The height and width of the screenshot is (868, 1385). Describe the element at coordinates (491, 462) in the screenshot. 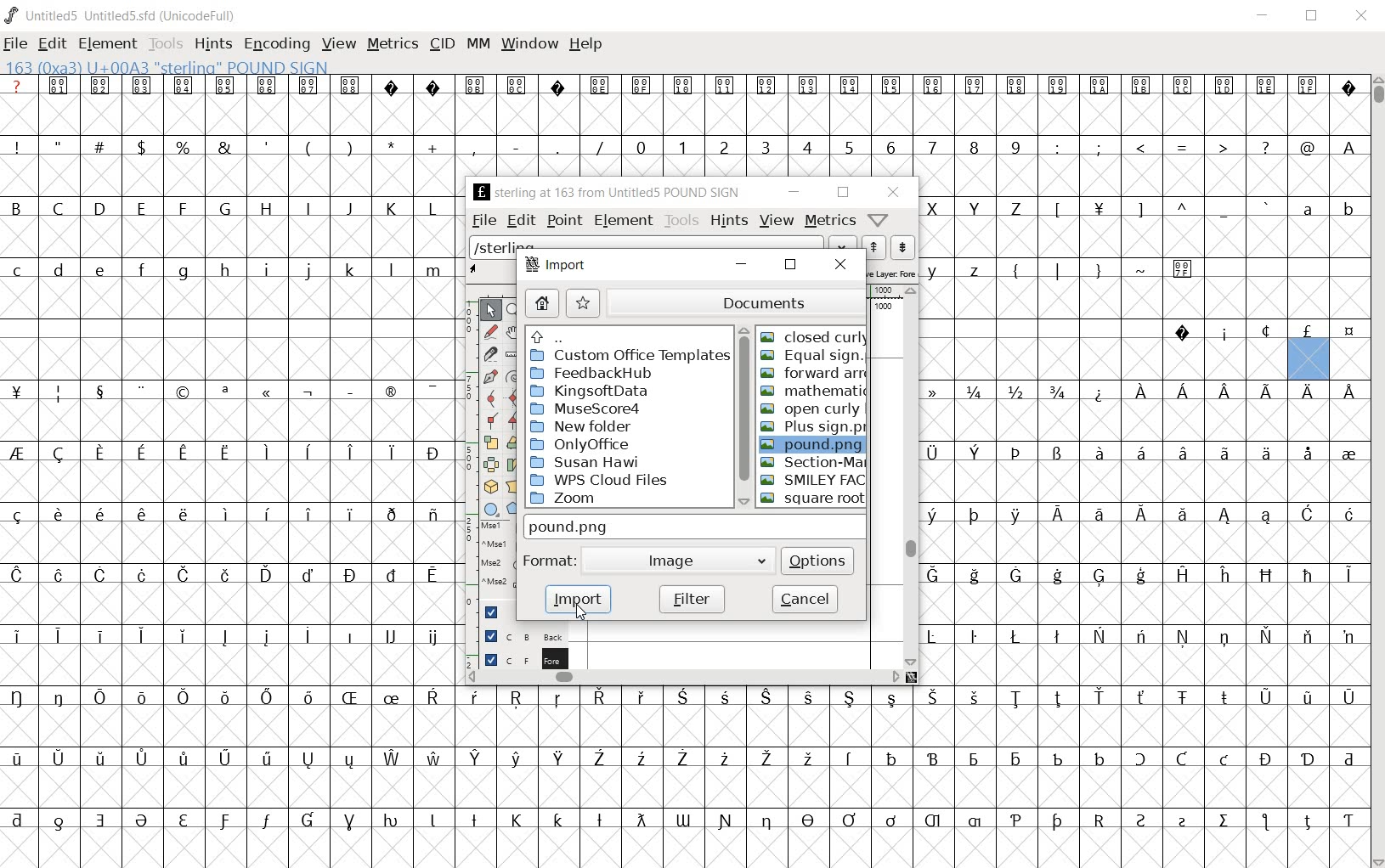

I see `flip` at that location.